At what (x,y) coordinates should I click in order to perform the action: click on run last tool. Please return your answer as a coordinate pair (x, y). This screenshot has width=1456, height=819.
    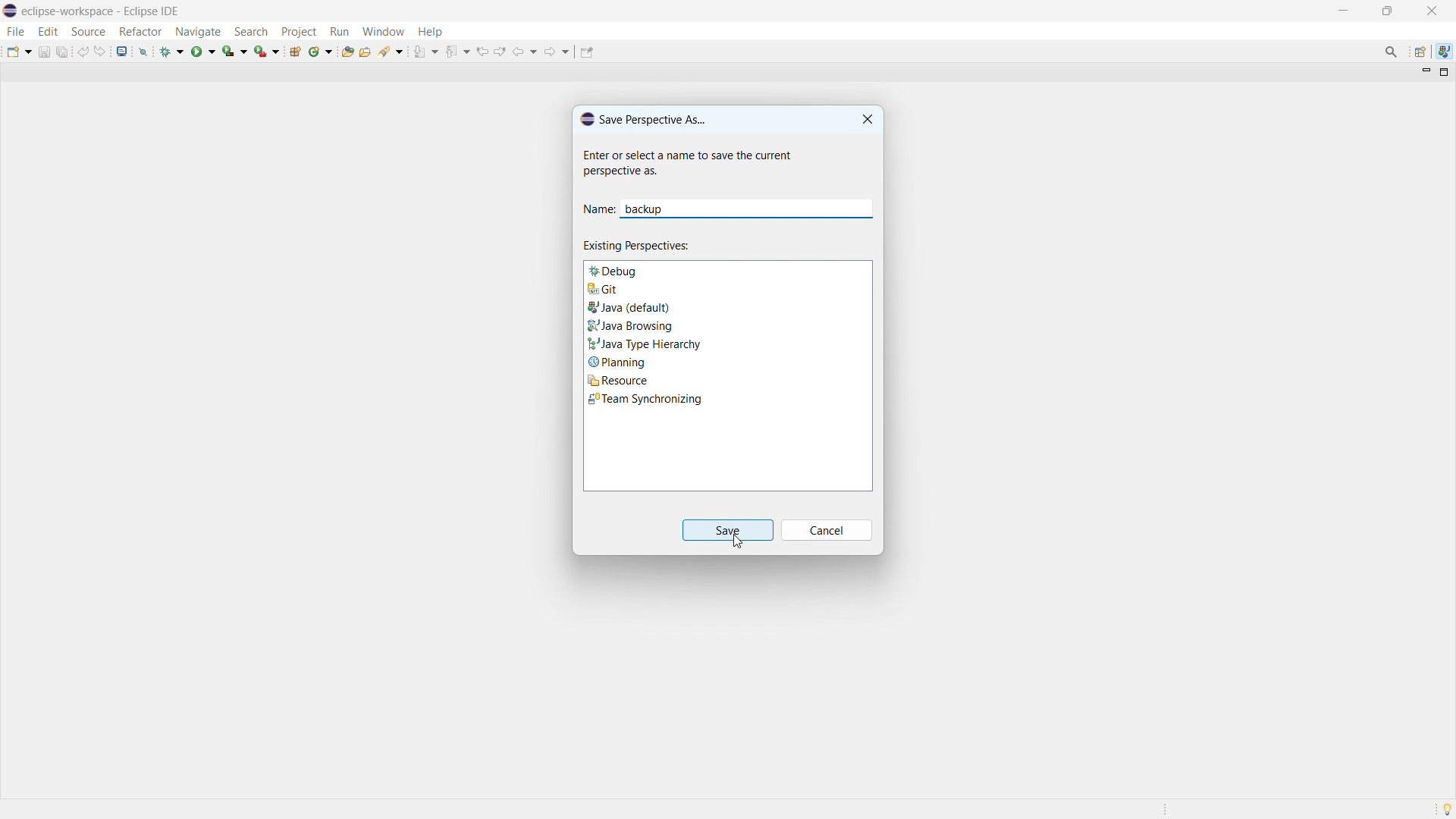
    Looking at the image, I should click on (268, 51).